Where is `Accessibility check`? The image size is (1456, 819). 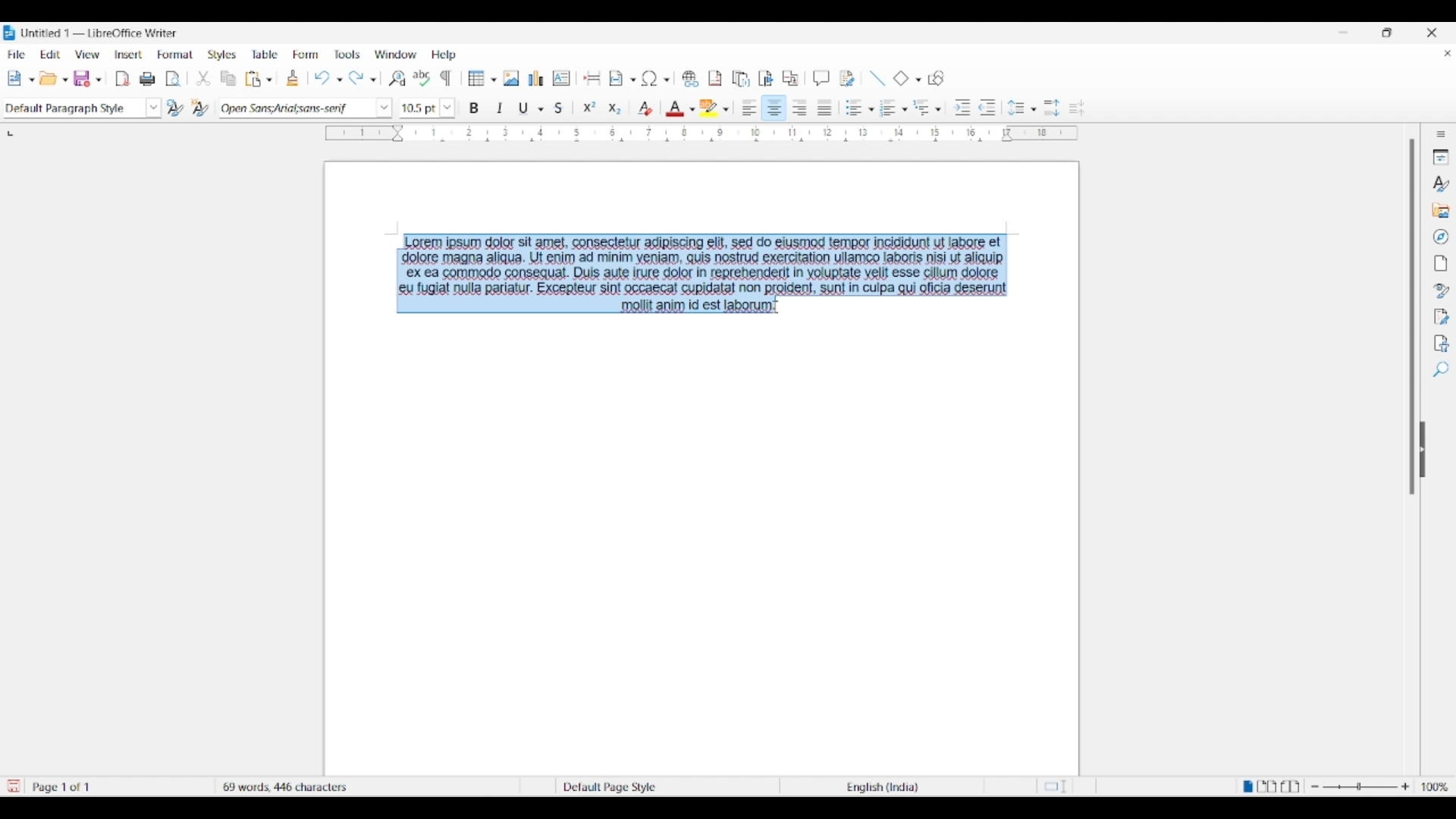 Accessibility check is located at coordinates (1442, 344).